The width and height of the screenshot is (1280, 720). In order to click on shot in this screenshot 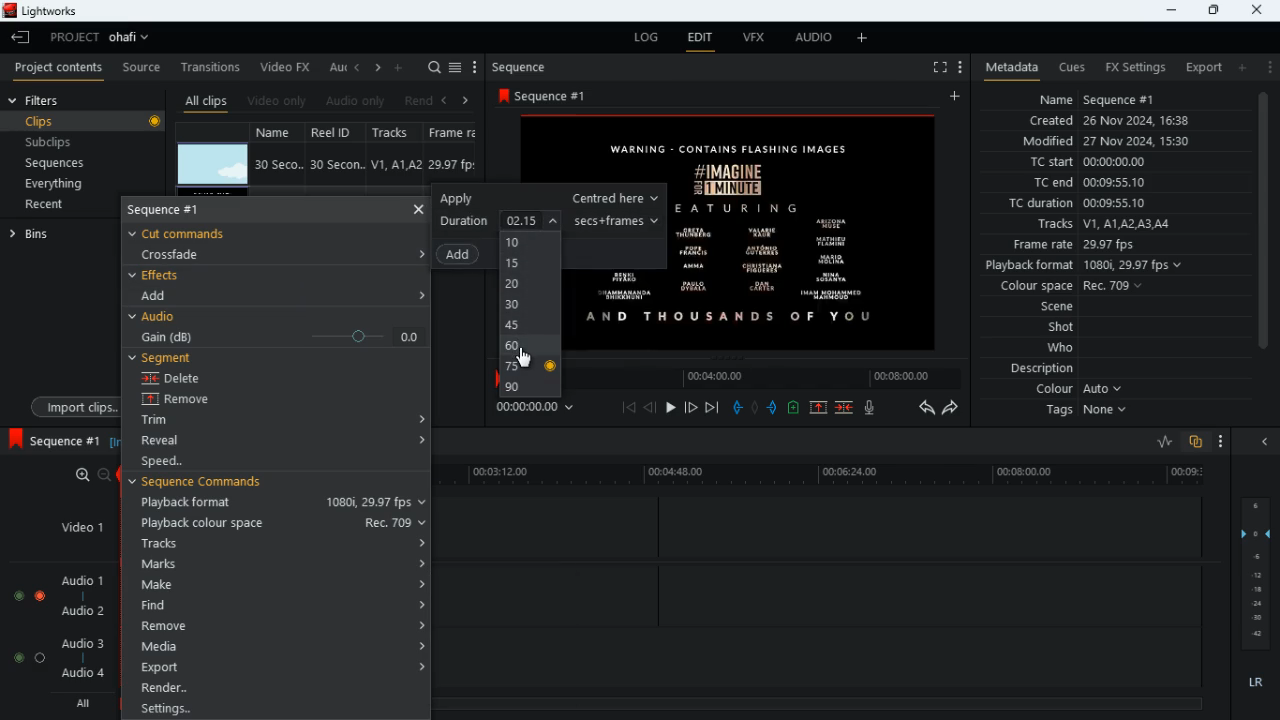, I will do `click(1063, 329)`.